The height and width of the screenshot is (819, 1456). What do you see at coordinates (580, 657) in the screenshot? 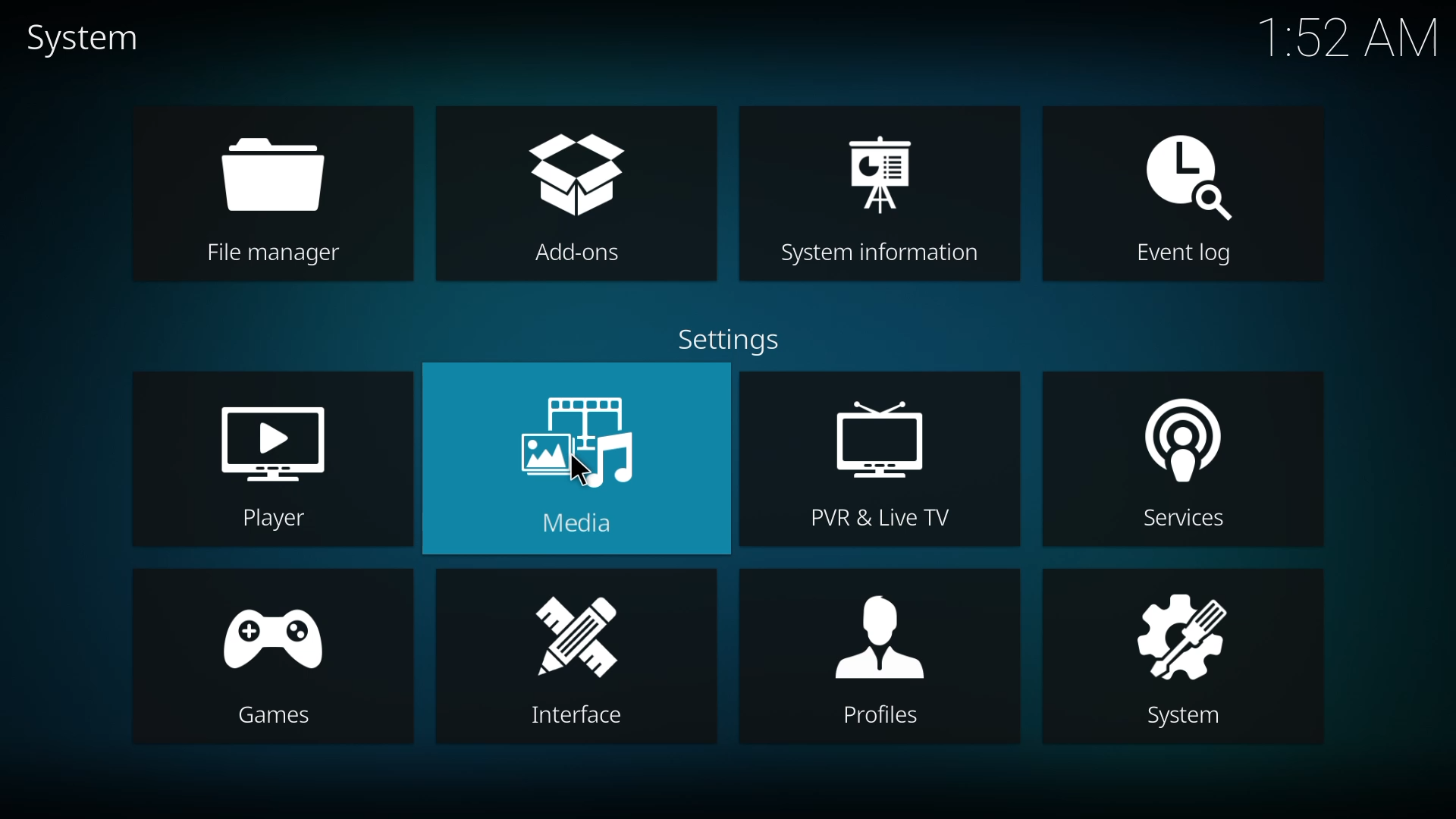
I see `interface` at bounding box center [580, 657].